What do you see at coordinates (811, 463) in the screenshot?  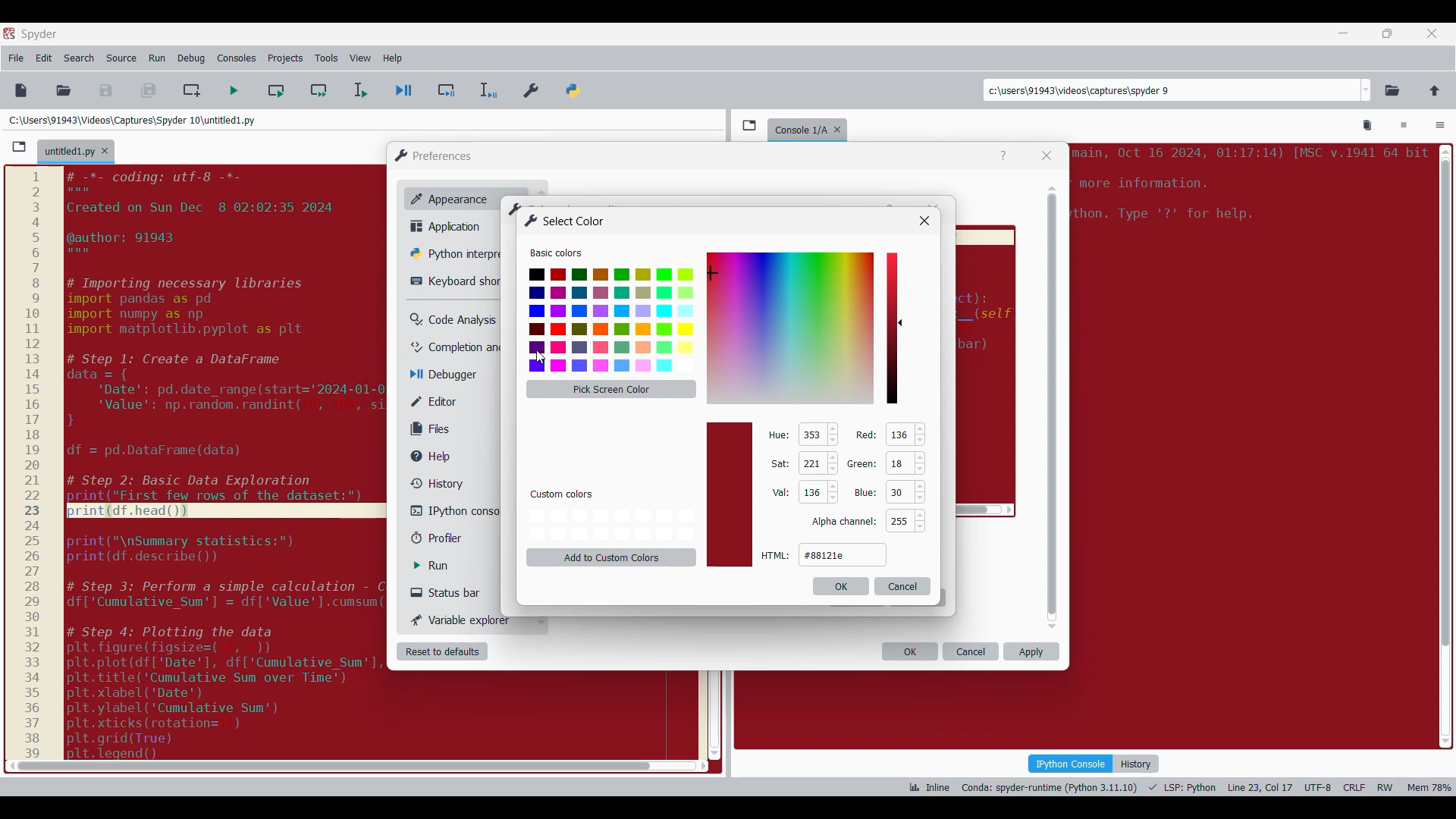 I see `221` at bounding box center [811, 463].